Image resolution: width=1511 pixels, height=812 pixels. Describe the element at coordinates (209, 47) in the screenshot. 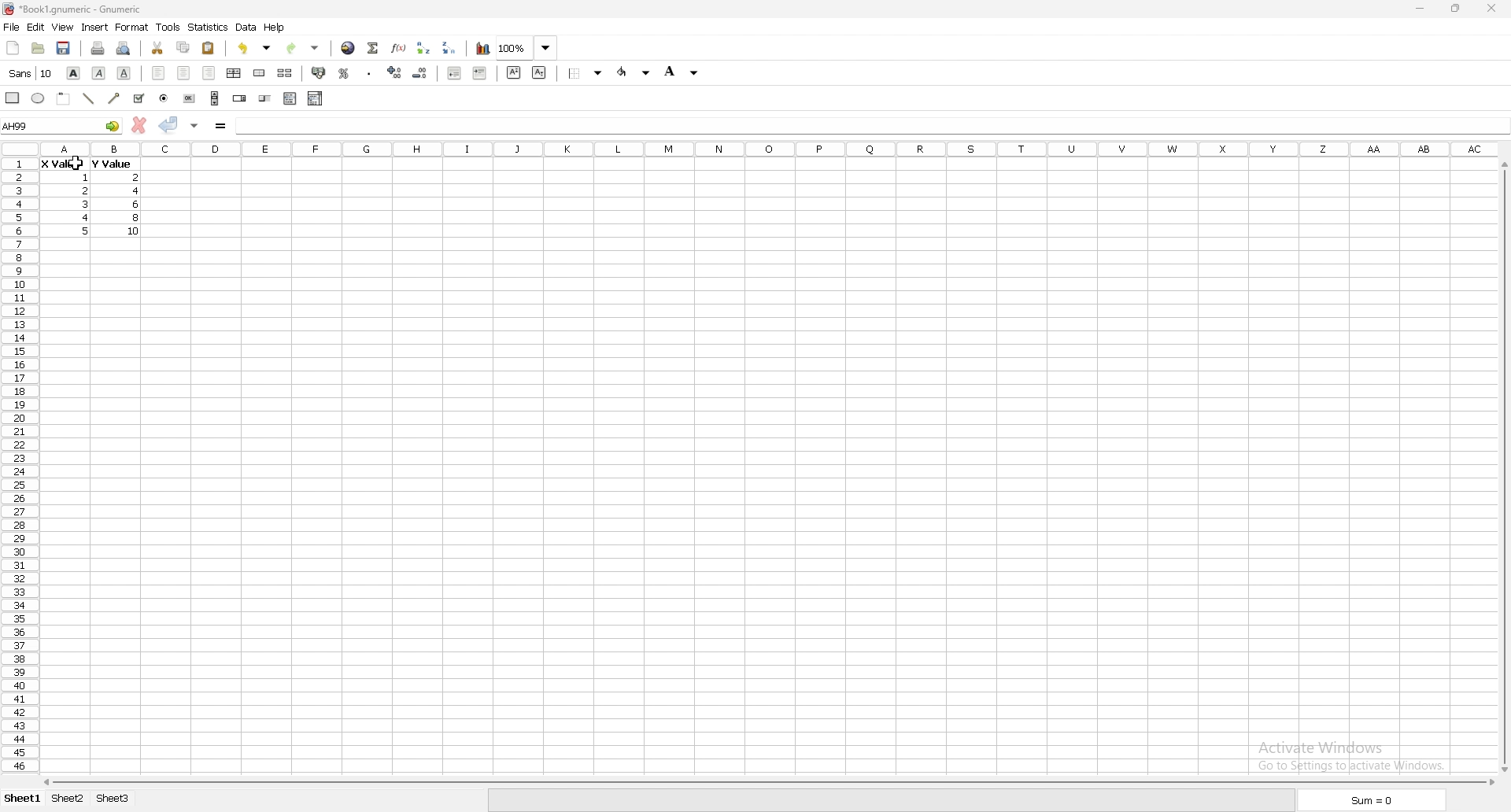

I see `paste` at that location.